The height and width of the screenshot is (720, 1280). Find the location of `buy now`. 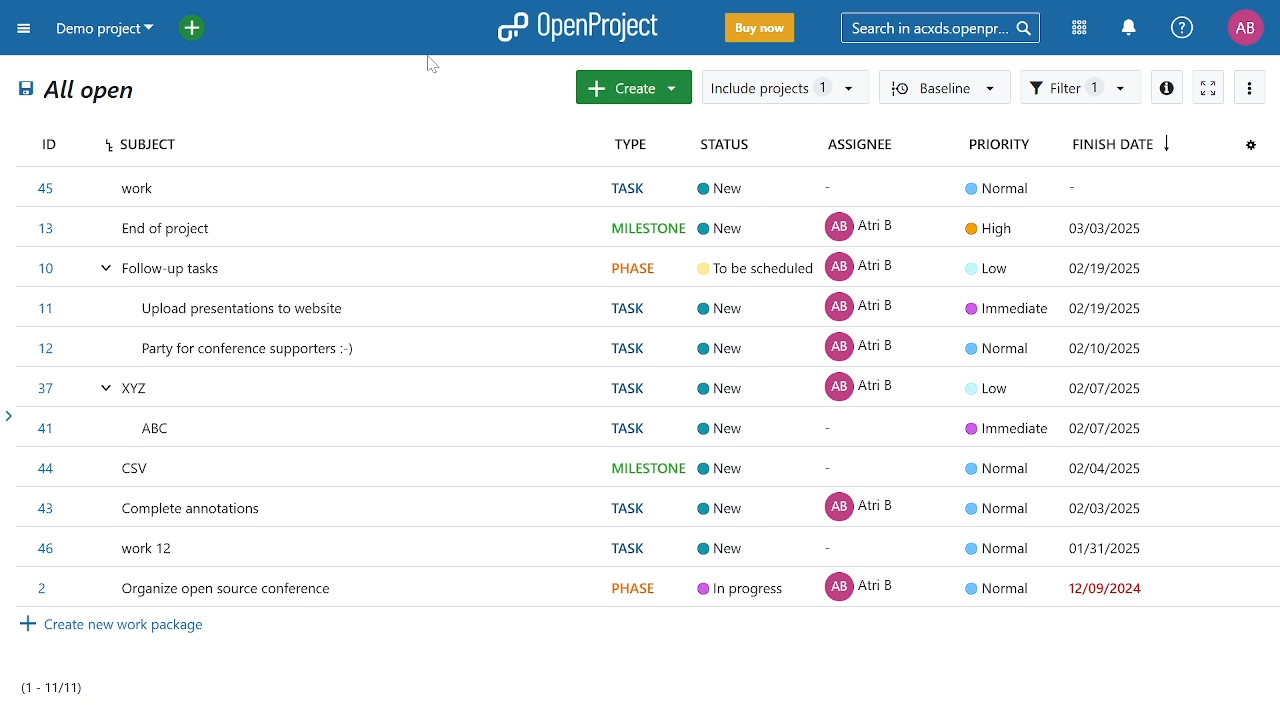

buy now is located at coordinates (758, 29).